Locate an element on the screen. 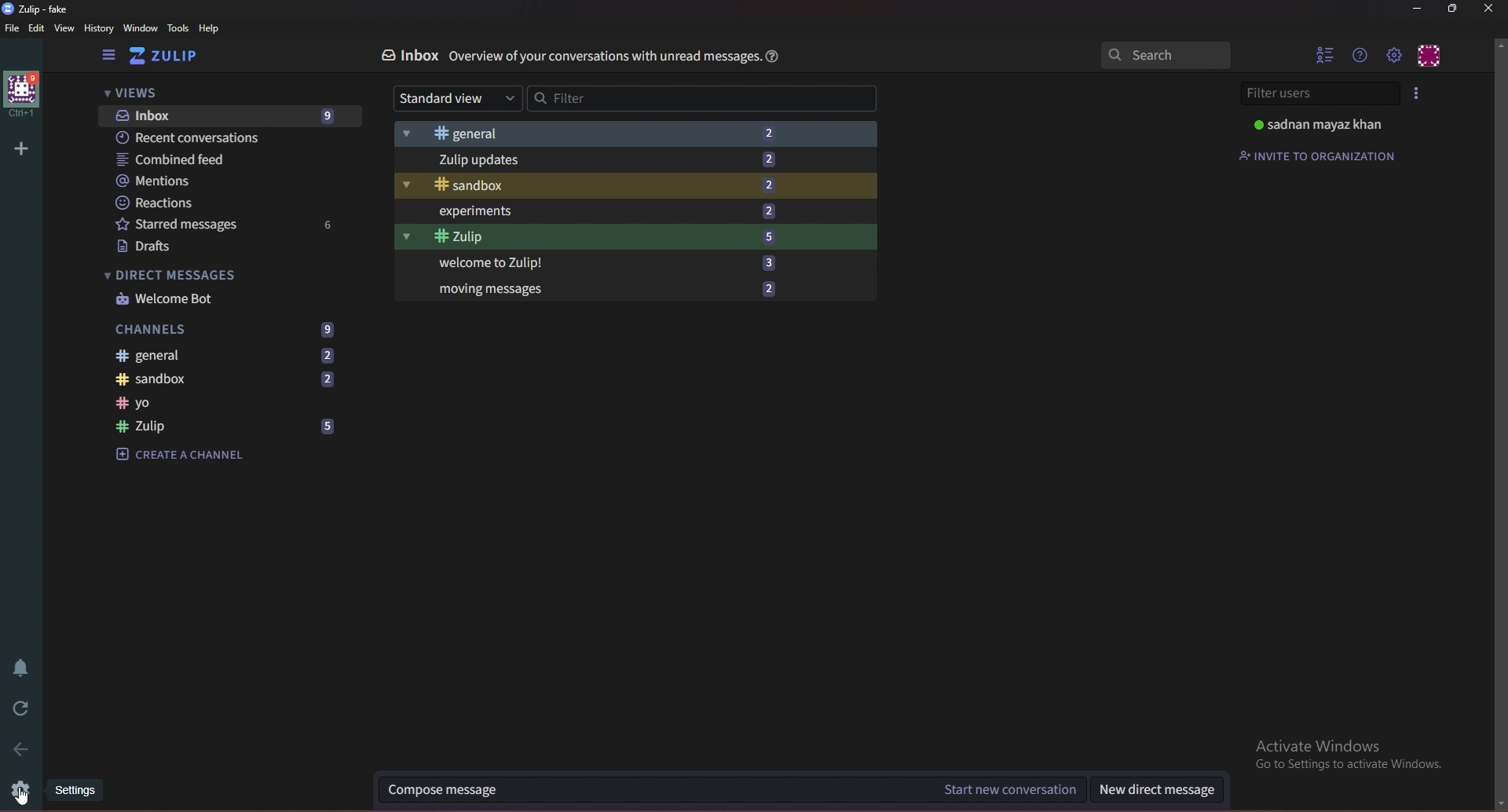 The image size is (1508, 812). Welcome to Zulip is located at coordinates (639, 264).